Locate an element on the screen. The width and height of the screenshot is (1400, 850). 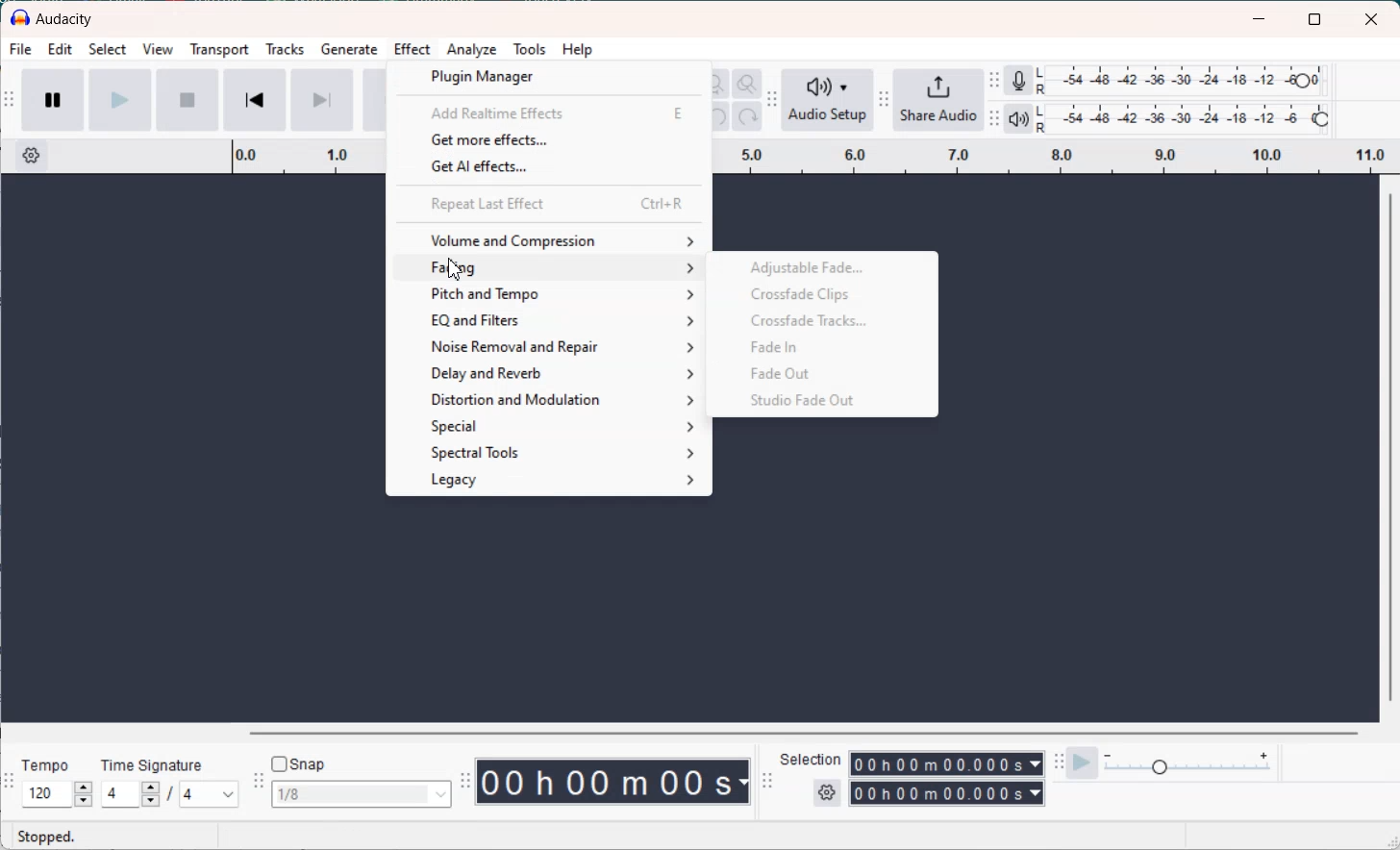
Fading is located at coordinates (549, 269).